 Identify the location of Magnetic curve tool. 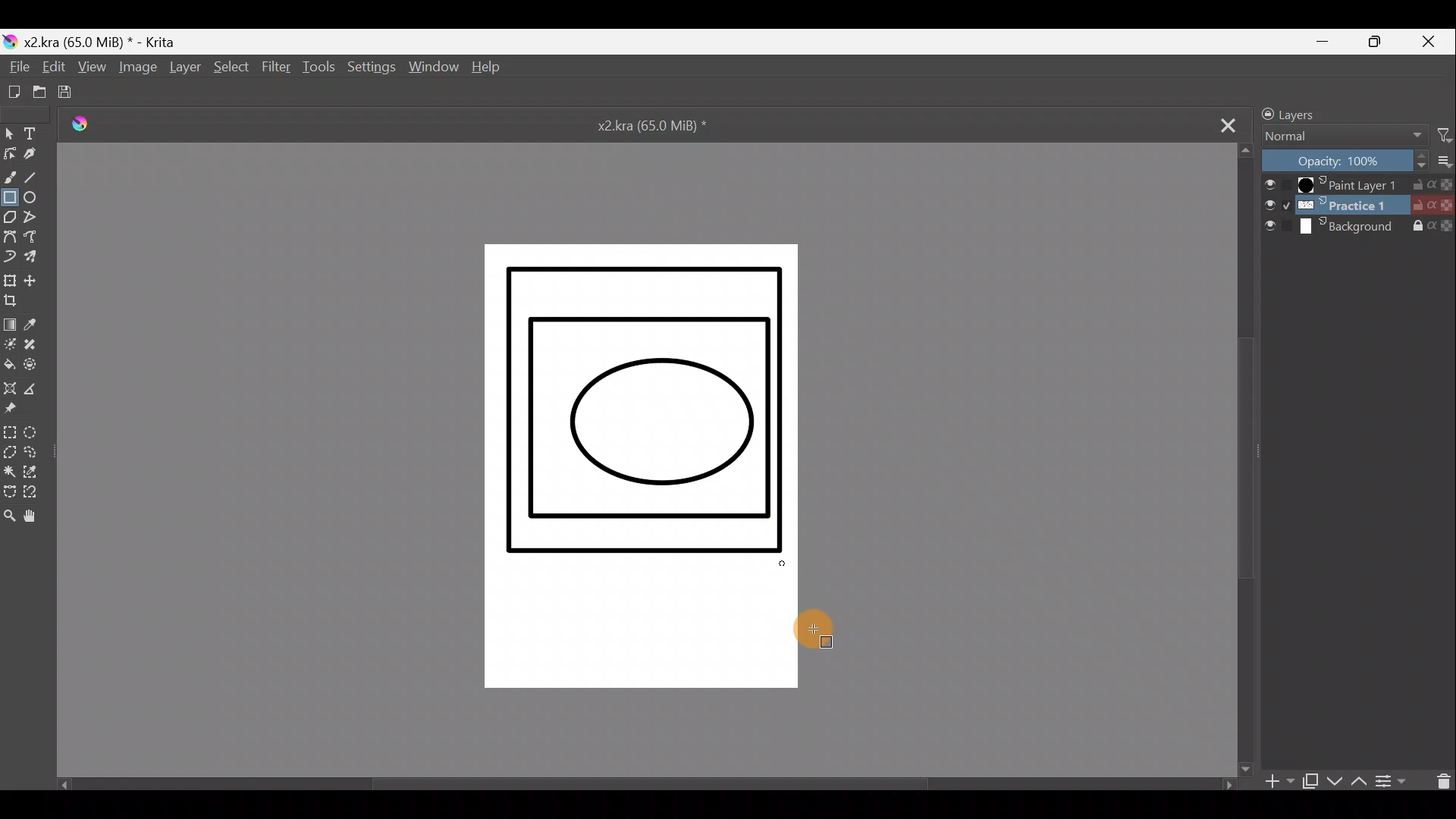
(39, 238).